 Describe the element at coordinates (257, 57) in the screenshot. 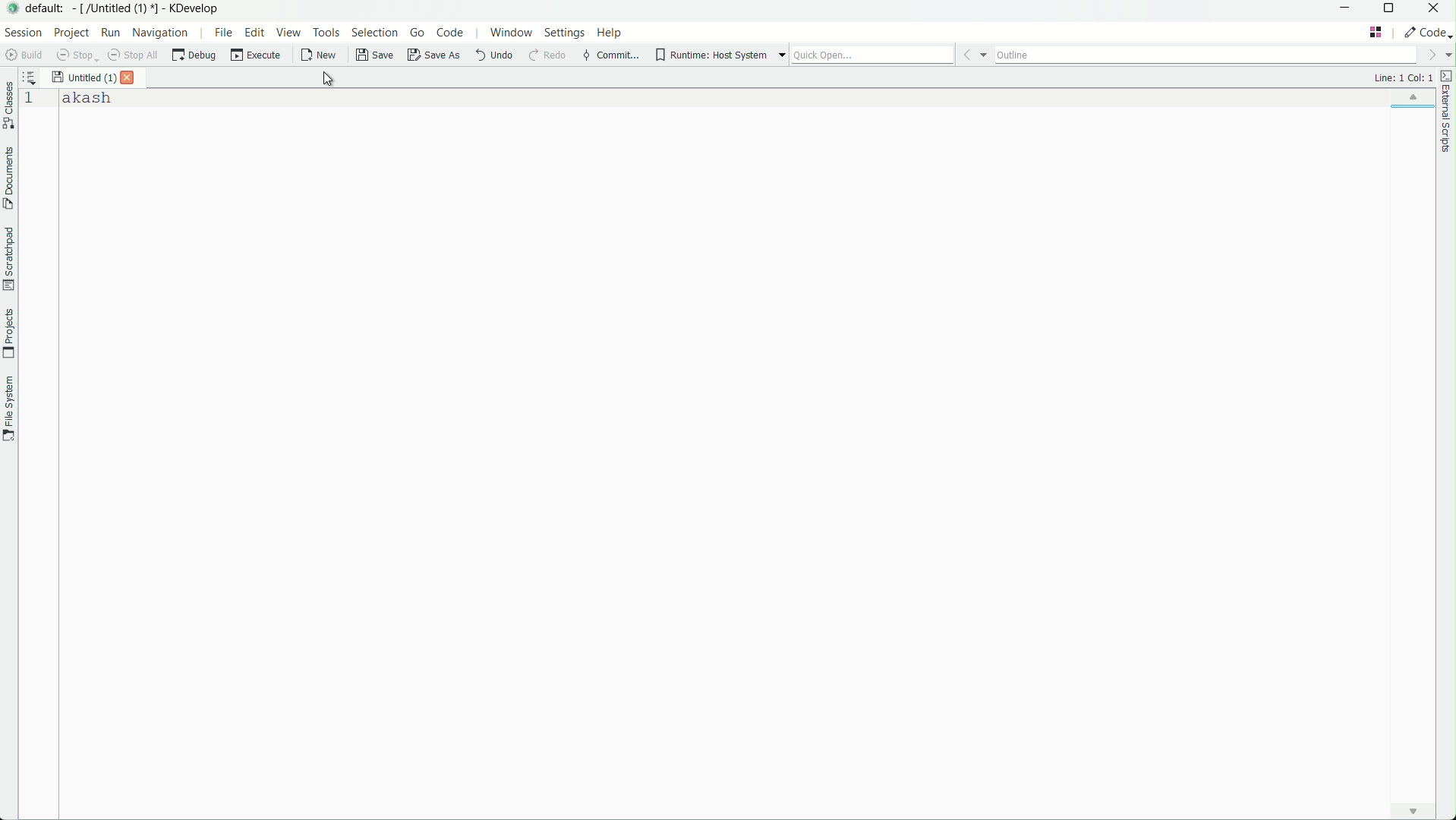

I see `execute` at that location.